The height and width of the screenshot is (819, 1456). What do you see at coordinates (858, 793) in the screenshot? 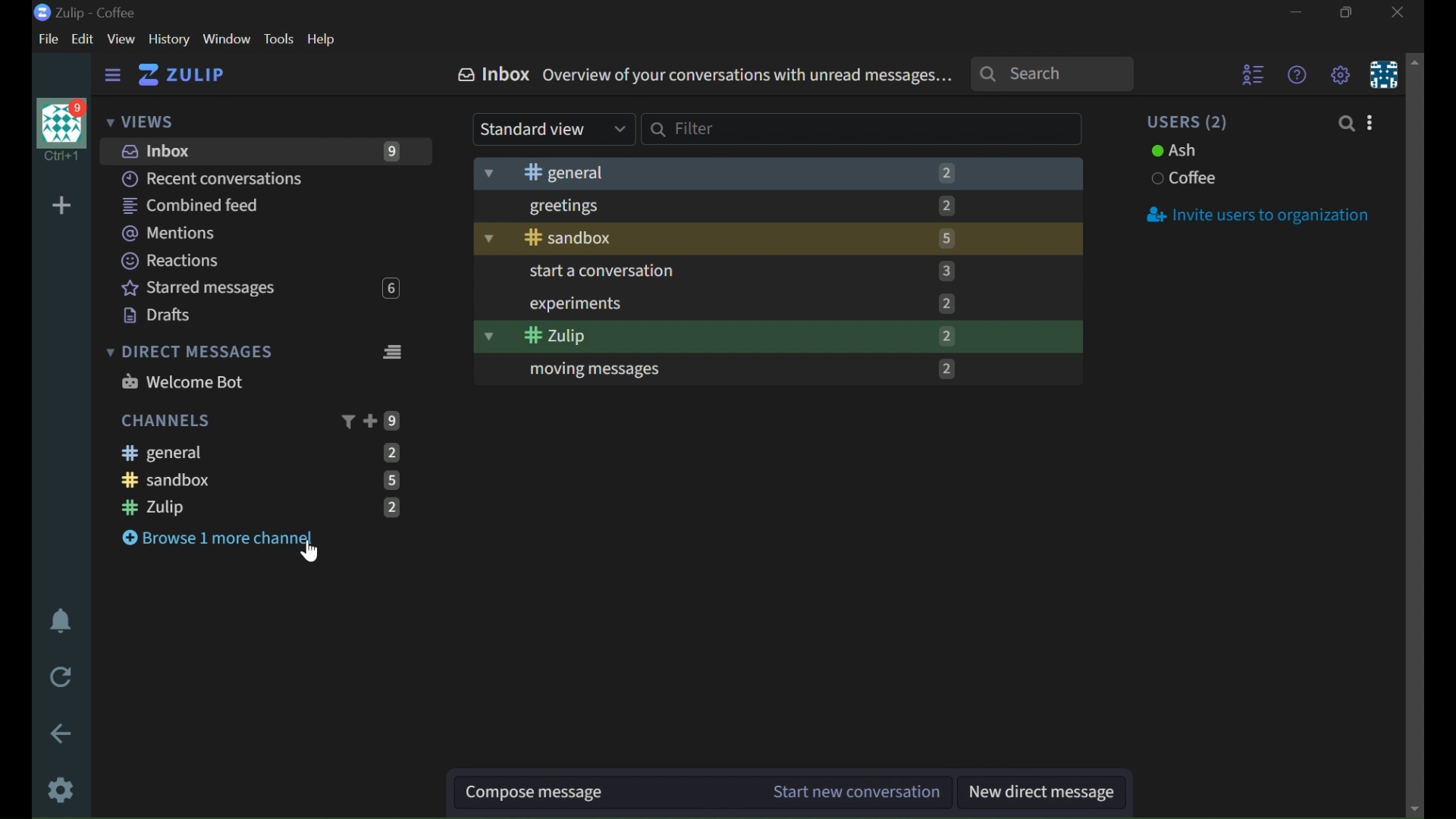
I see `START NEW CONVERSATION` at bounding box center [858, 793].